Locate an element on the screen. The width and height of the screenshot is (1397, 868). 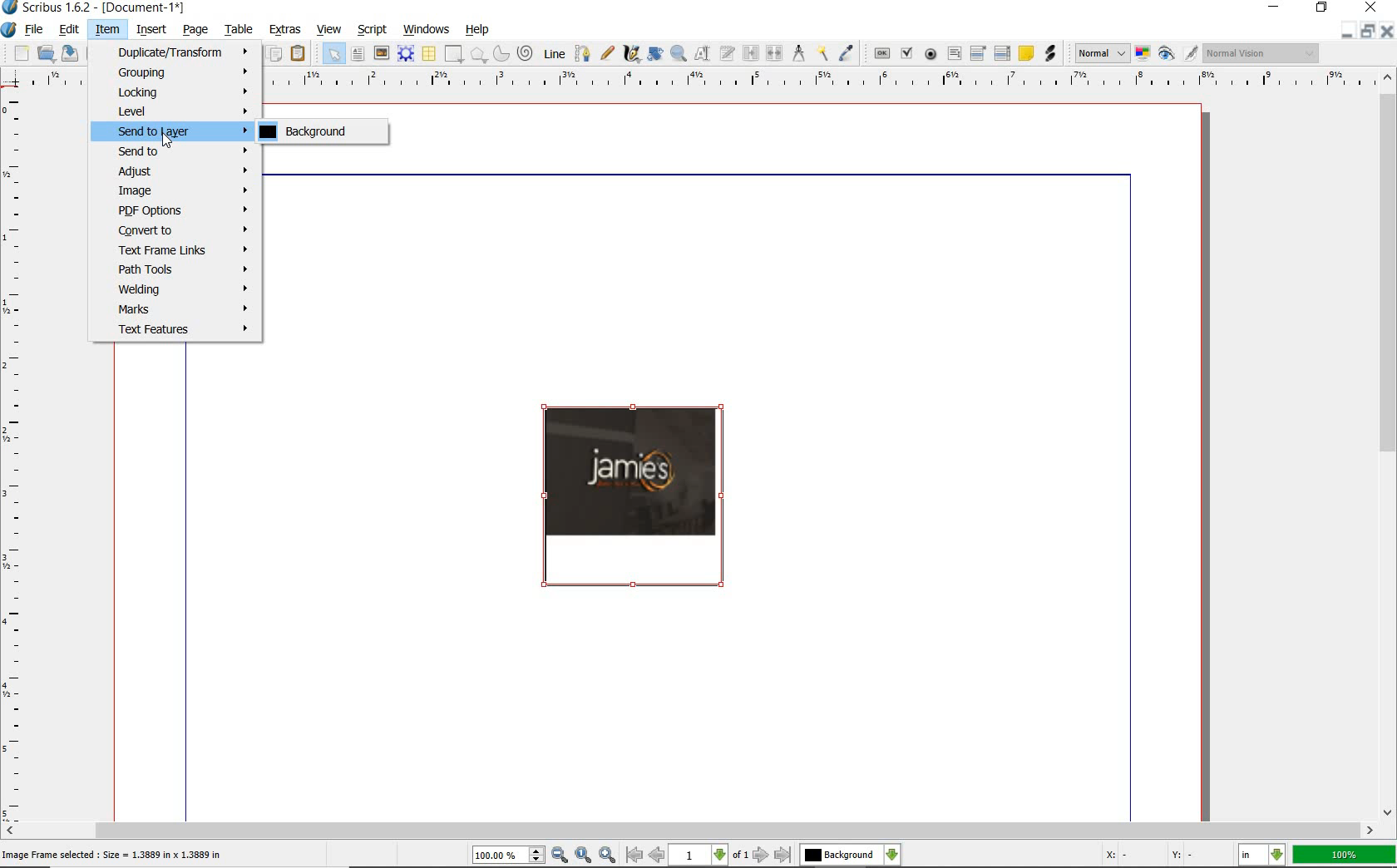
1 of 1 is located at coordinates (711, 856).